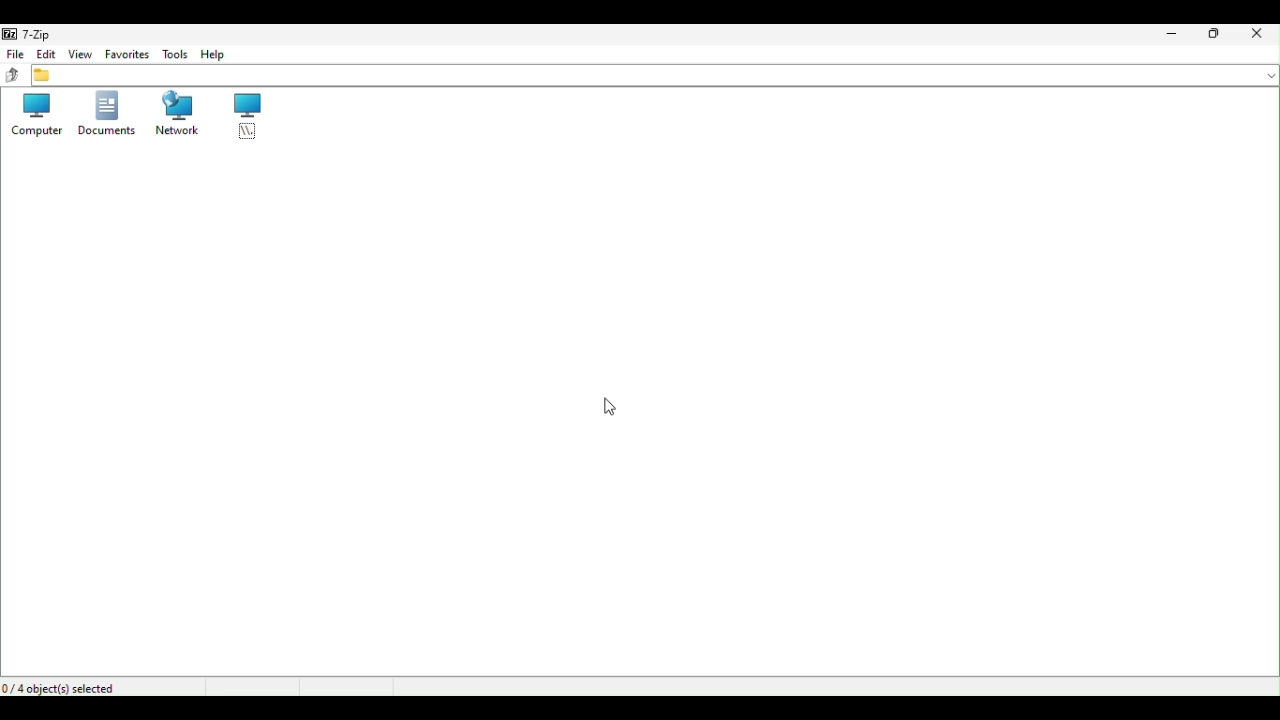 The height and width of the screenshot is (720, 1280). Describe the element at coordinates (176, 53) in the screenshot. I see `tools` at that location.